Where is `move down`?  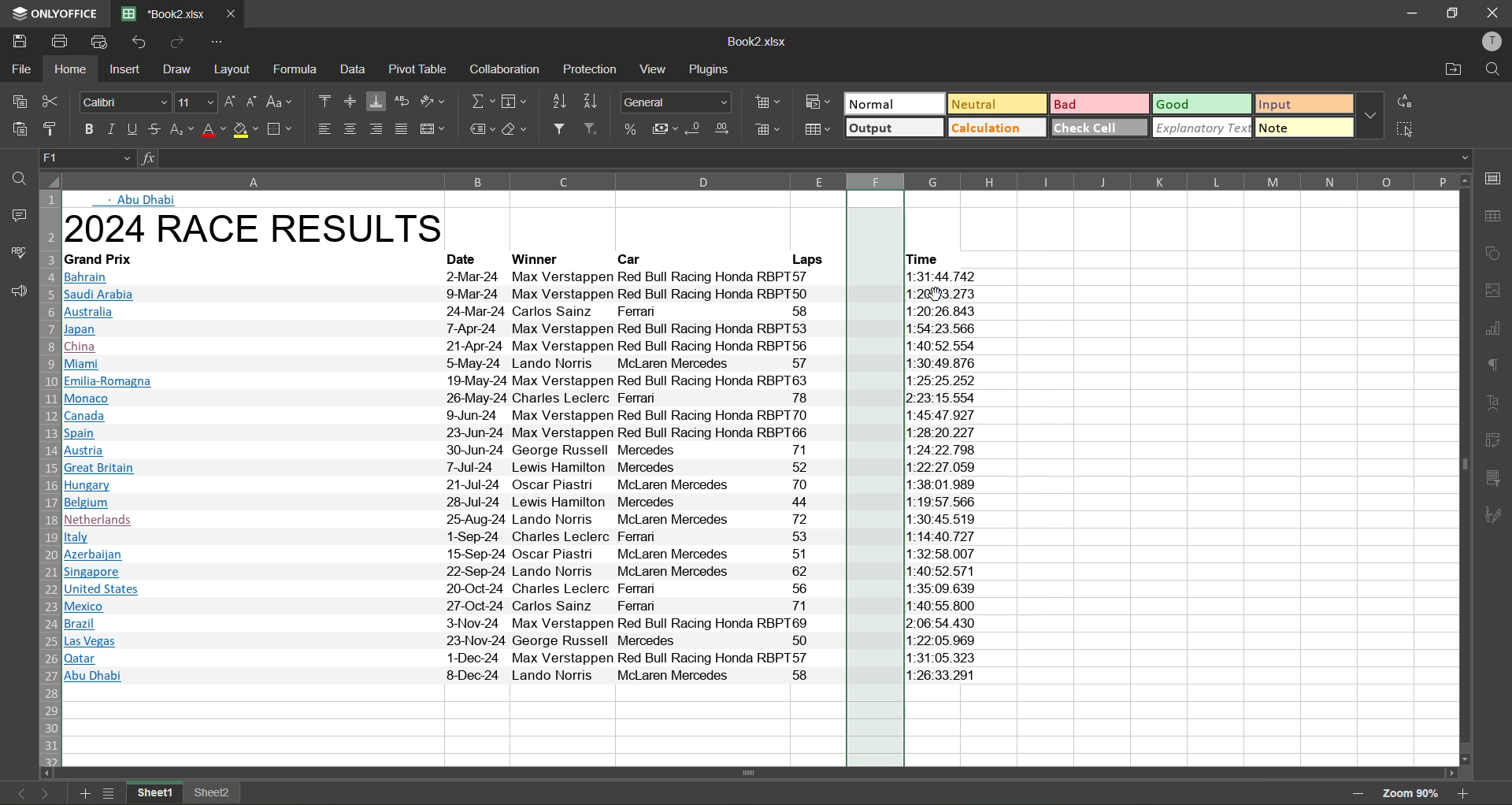 move down is located at coordinates (1466, 760).